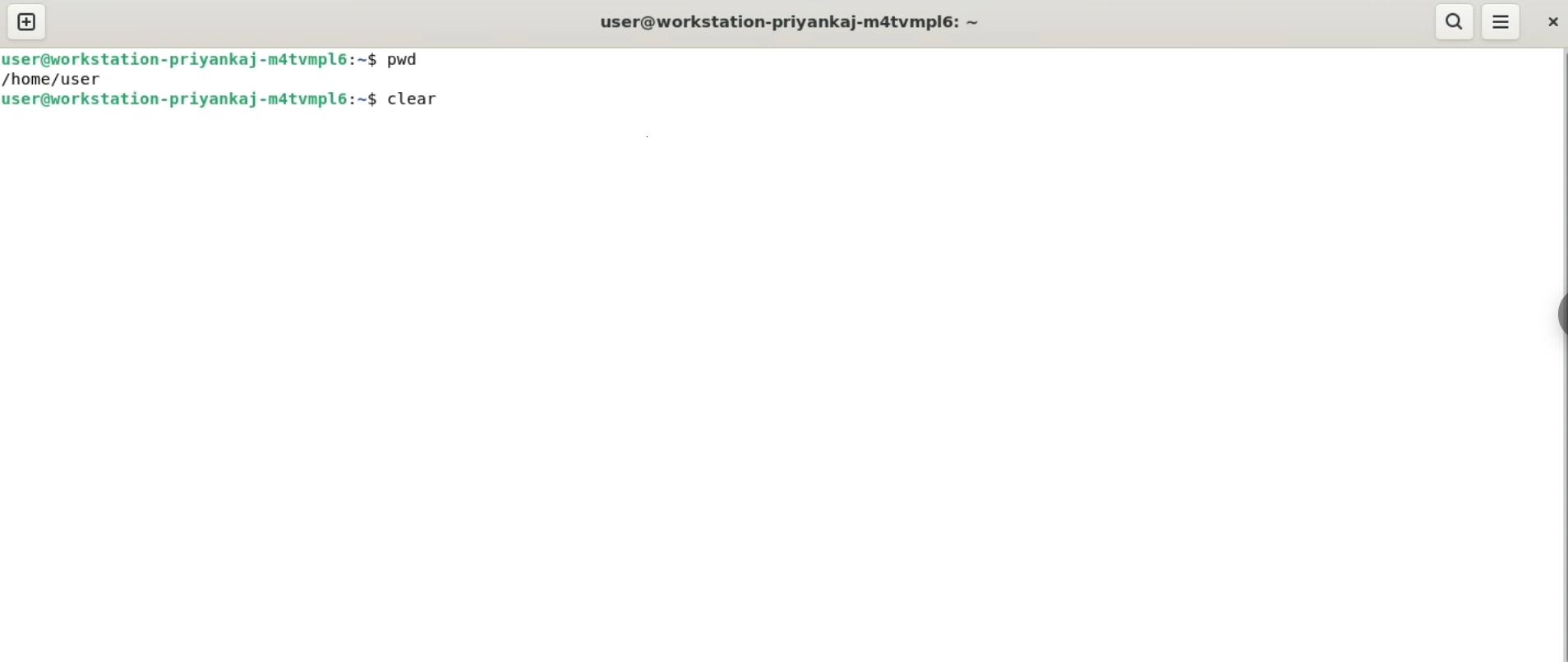  What do you see at coordinates (790, 23) in the screenshot?
I see `user@workstation-priyankaj-m4tvmplé: ~` at bounding box center [790, 23].